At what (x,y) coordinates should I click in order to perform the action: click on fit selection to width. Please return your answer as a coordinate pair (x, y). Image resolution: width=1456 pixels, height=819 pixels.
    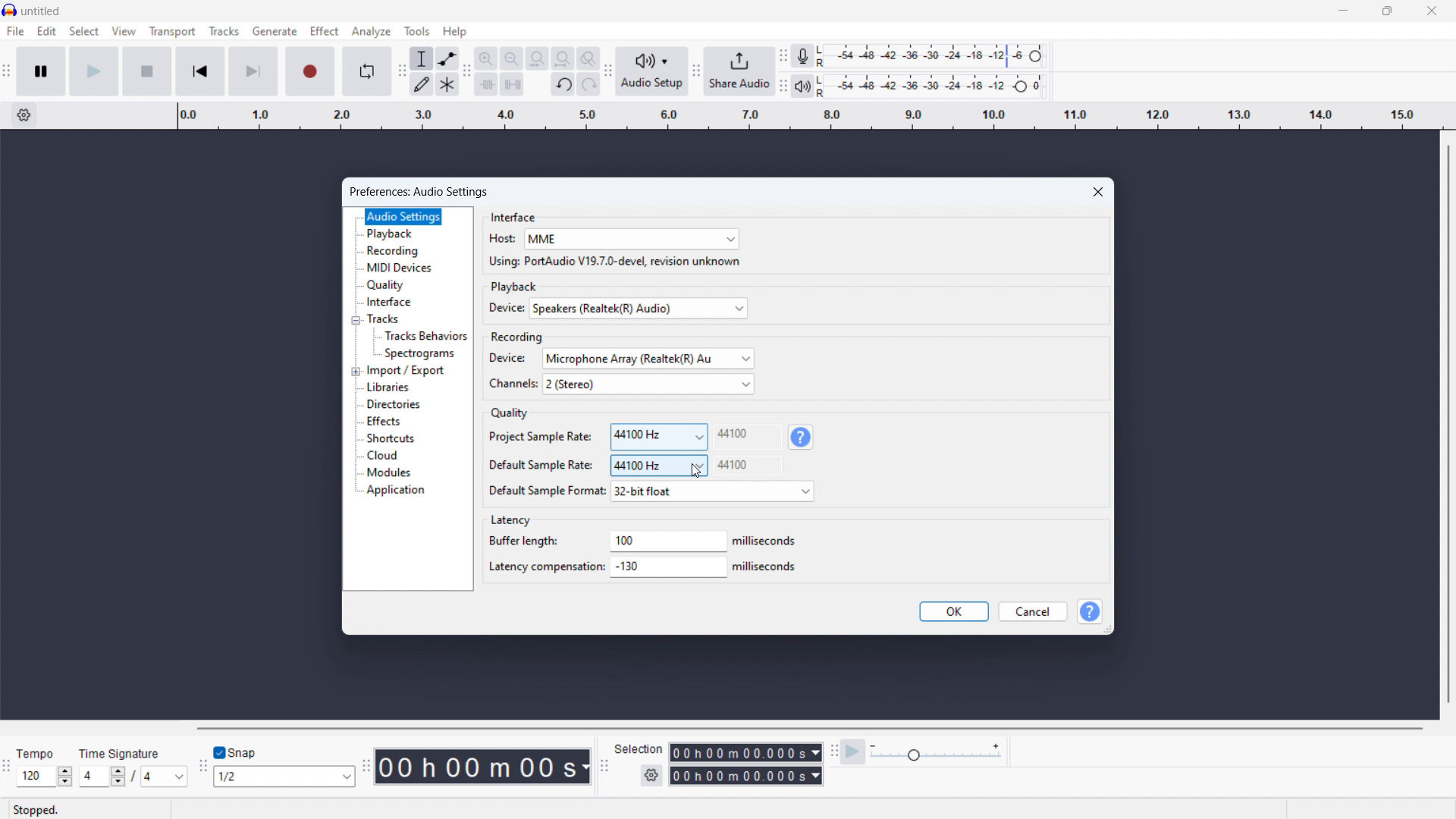
    Looking at the image, I should click on (537, 59).